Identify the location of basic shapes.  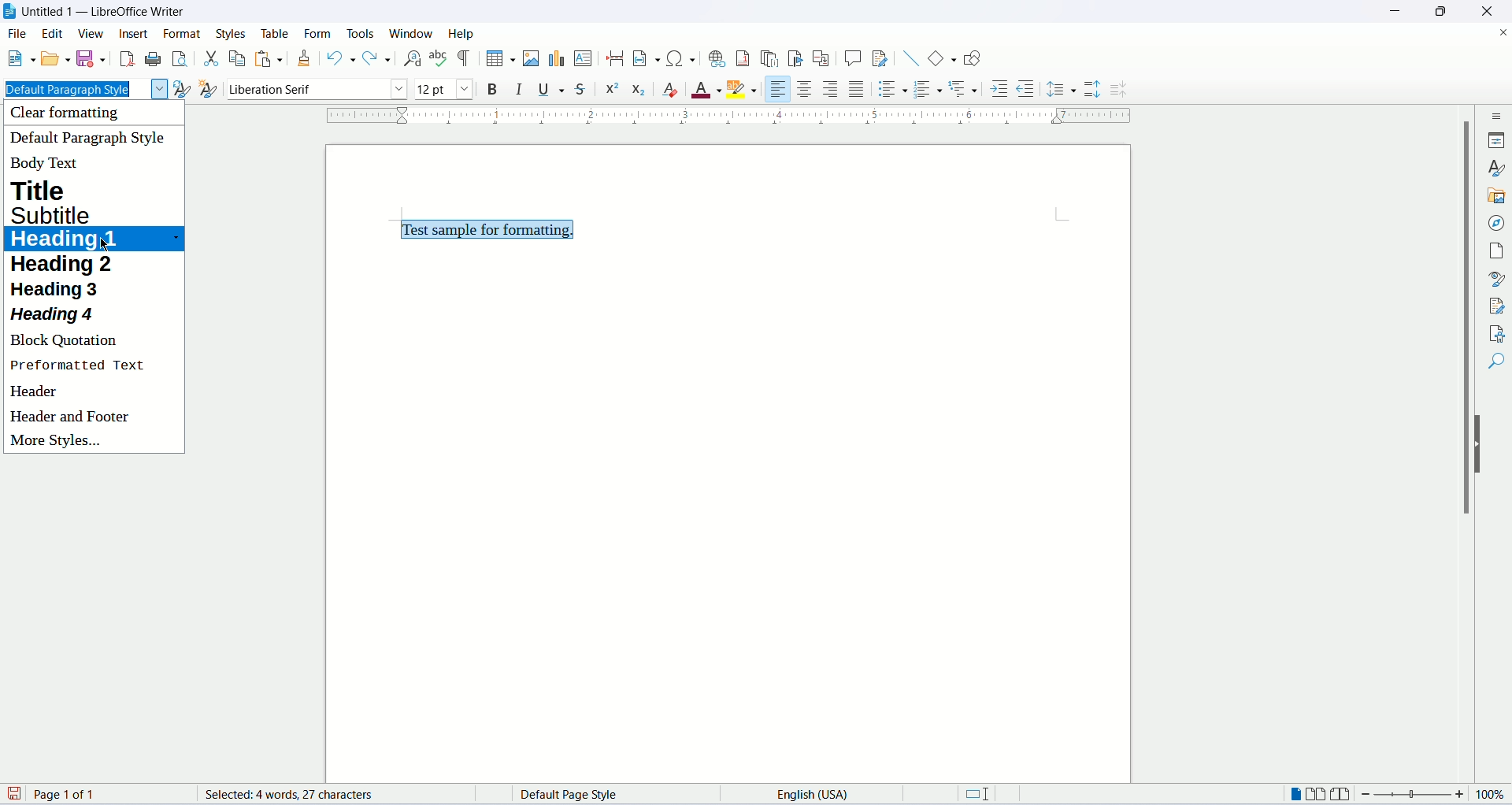
(939, 57).